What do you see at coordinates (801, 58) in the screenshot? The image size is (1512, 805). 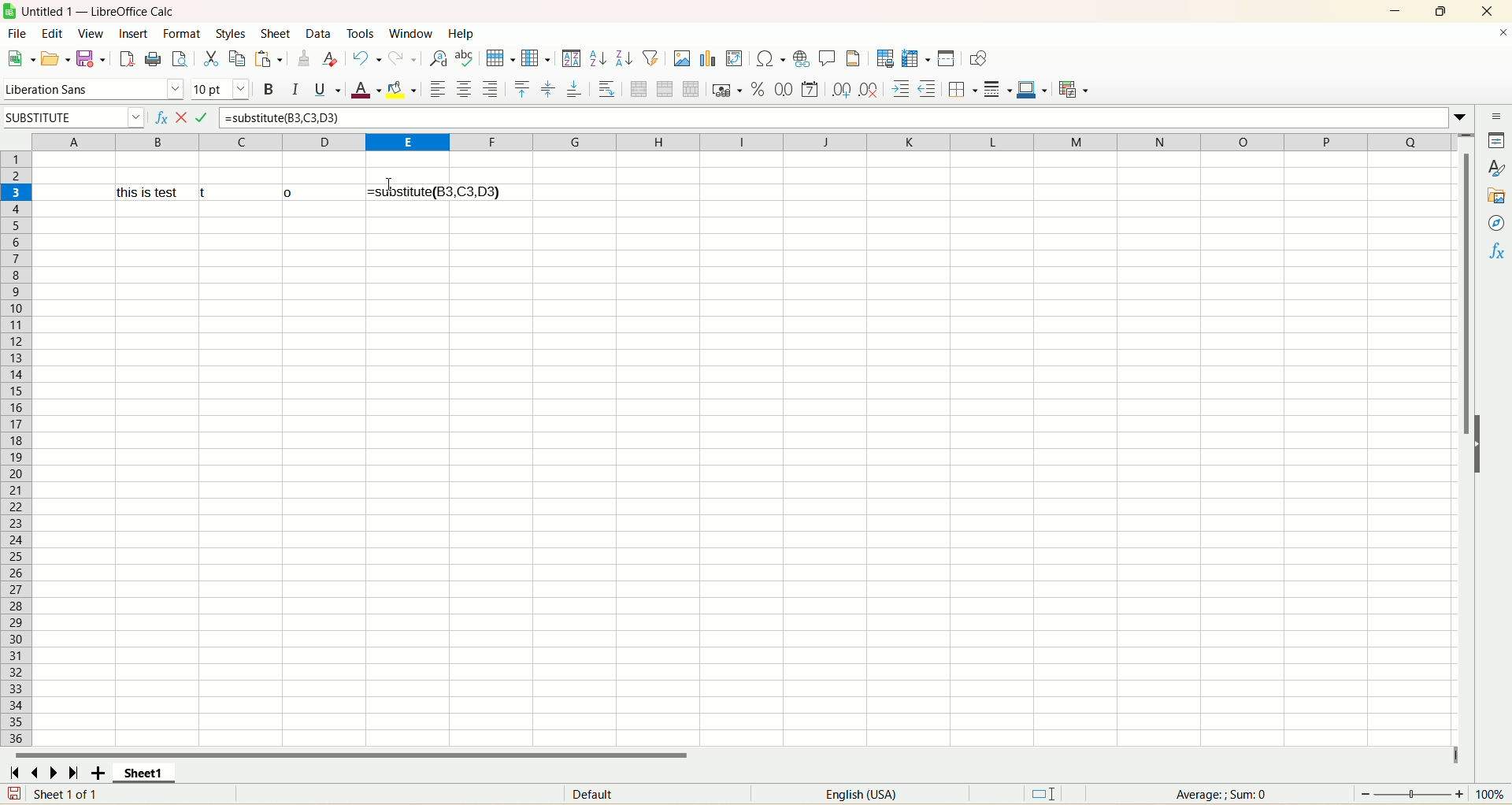 I see `insert hyperlink` at bounding box center [801, 58].